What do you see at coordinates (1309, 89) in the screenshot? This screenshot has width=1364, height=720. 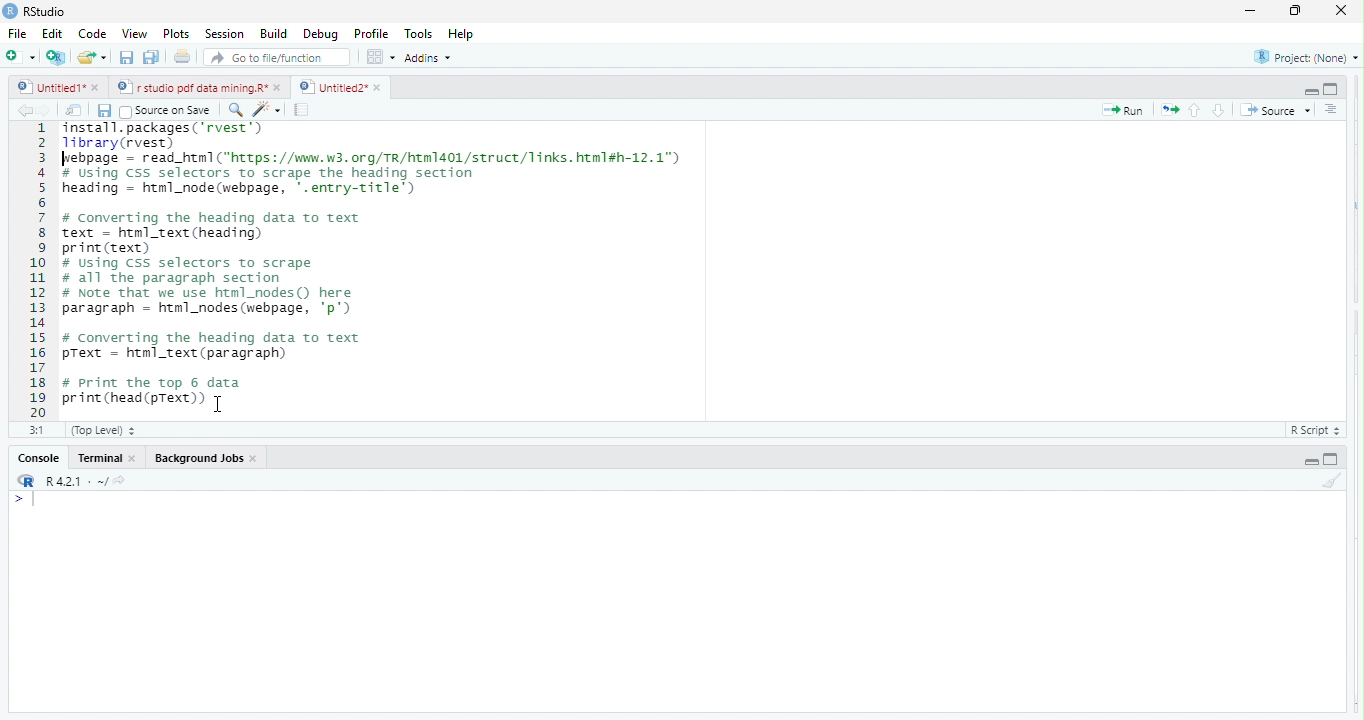 I see `hide r script` at bounding box center [1309, 89].